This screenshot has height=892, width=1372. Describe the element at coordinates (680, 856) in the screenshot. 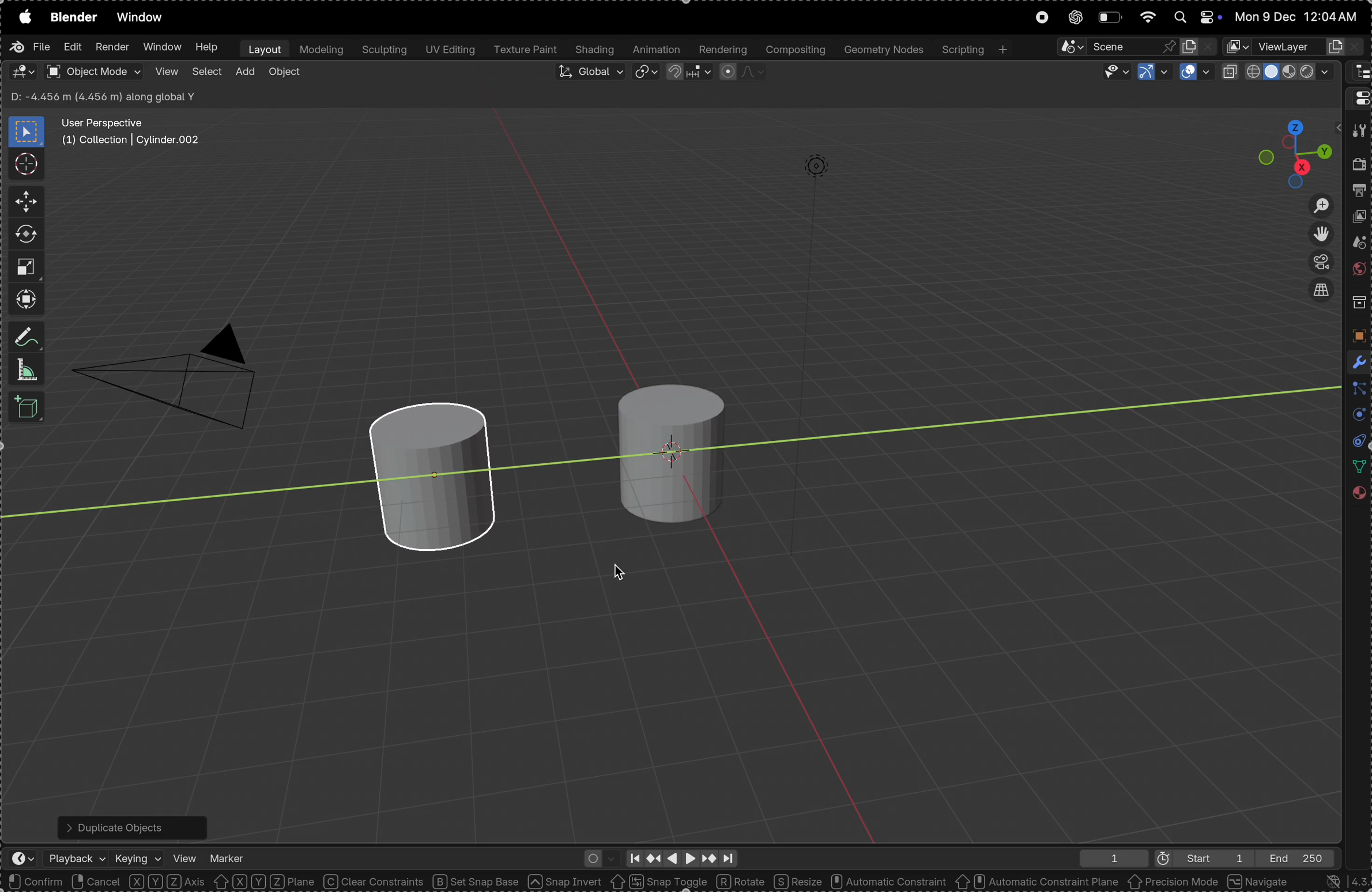

I see `playback controls` at that location.